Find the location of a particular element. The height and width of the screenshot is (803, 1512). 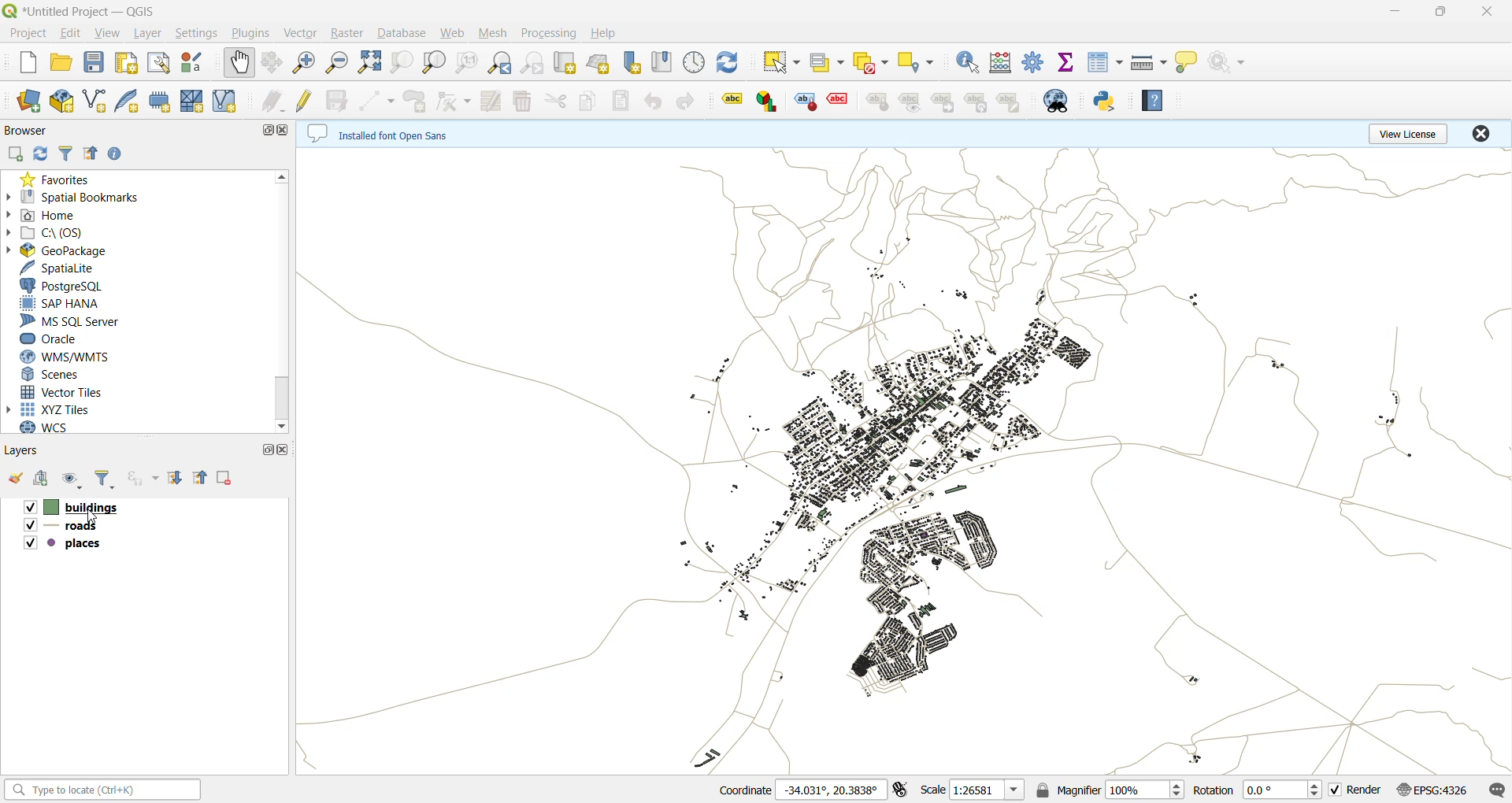

maximize is located at coordinates (265, 129).